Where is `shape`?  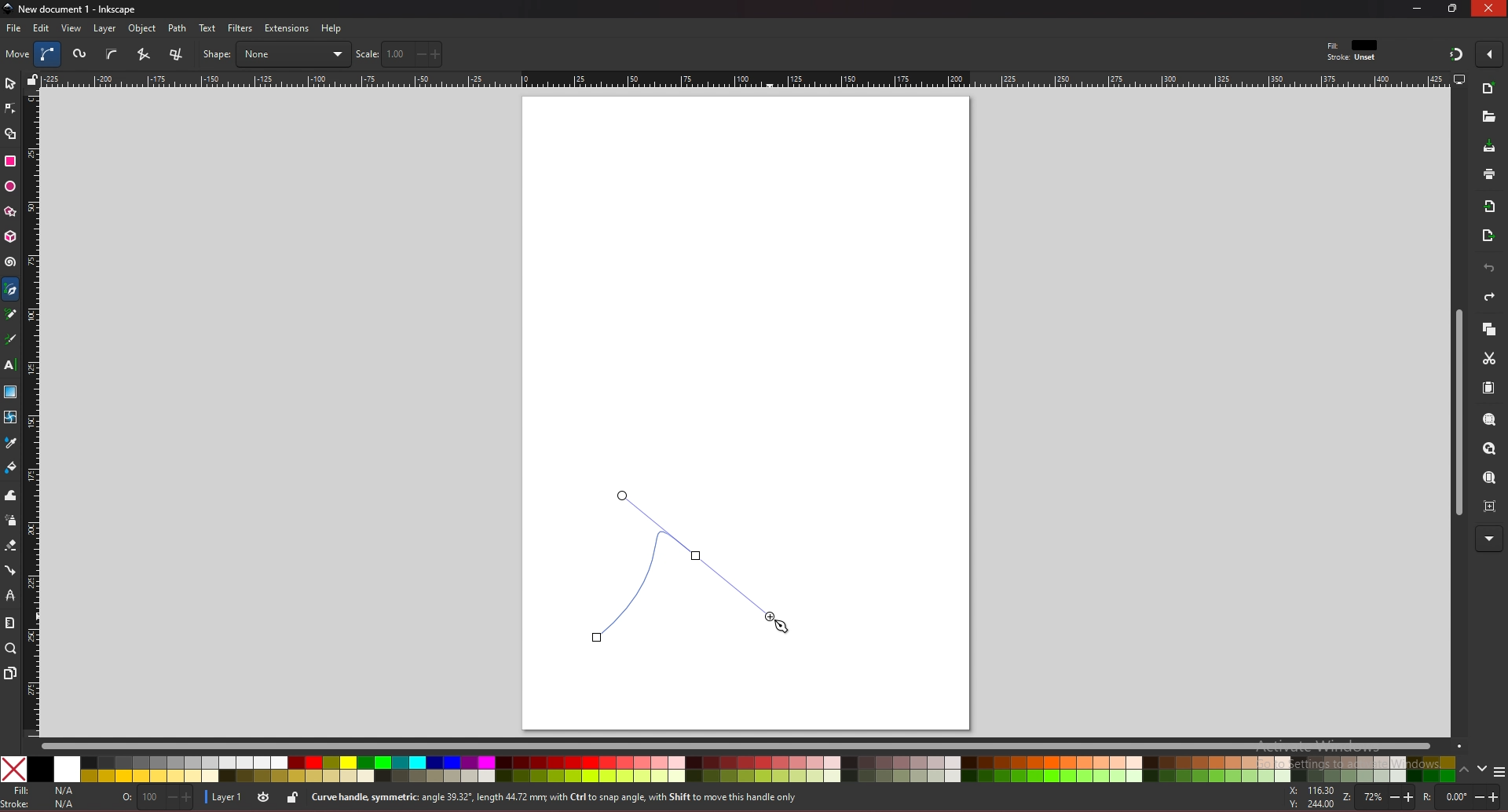 shape is located at coordinates (276, 54).